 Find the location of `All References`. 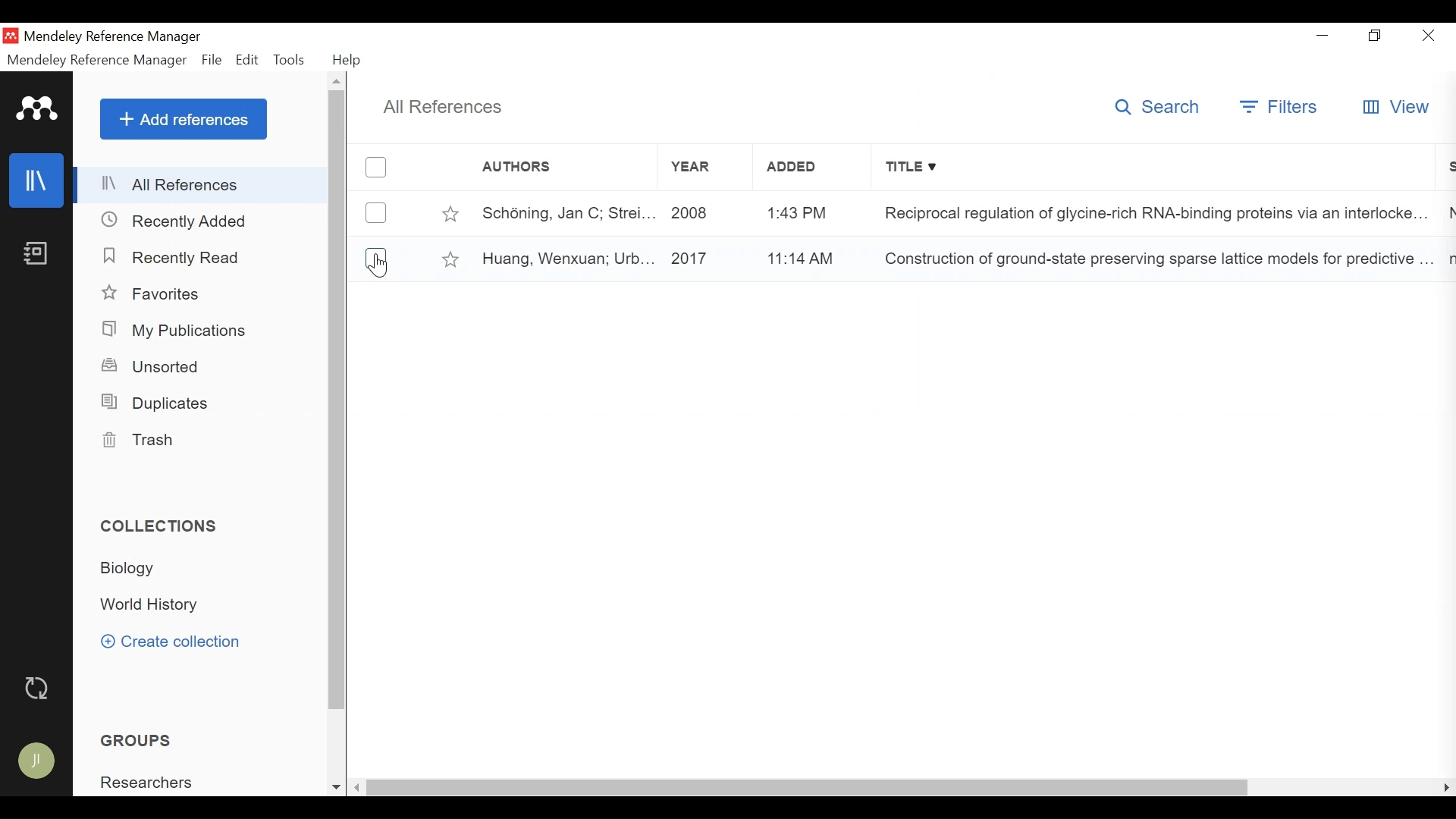

All References is located at coordinates (440, 107).